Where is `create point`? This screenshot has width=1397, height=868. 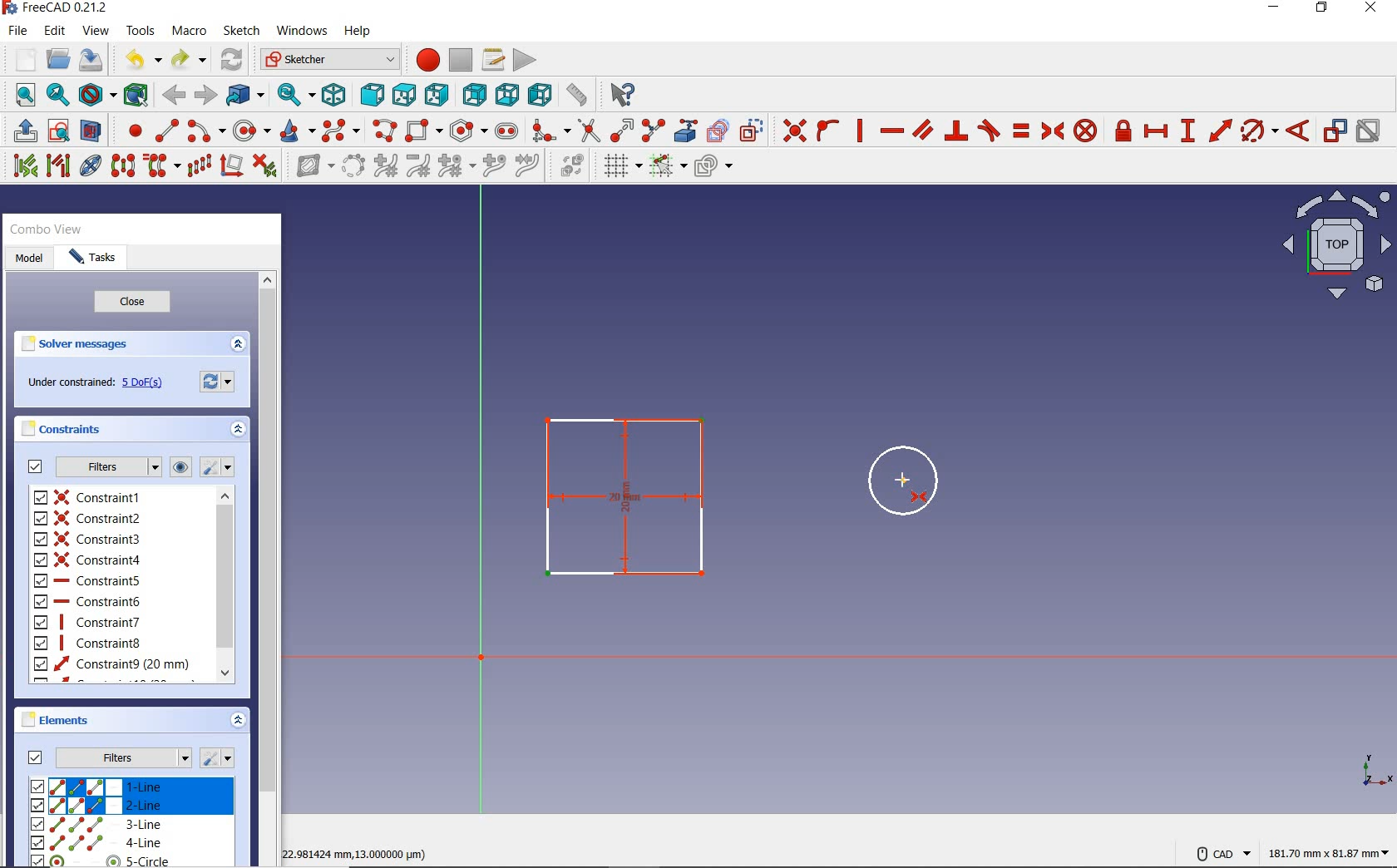 create point is located at coordinates (131, 129).